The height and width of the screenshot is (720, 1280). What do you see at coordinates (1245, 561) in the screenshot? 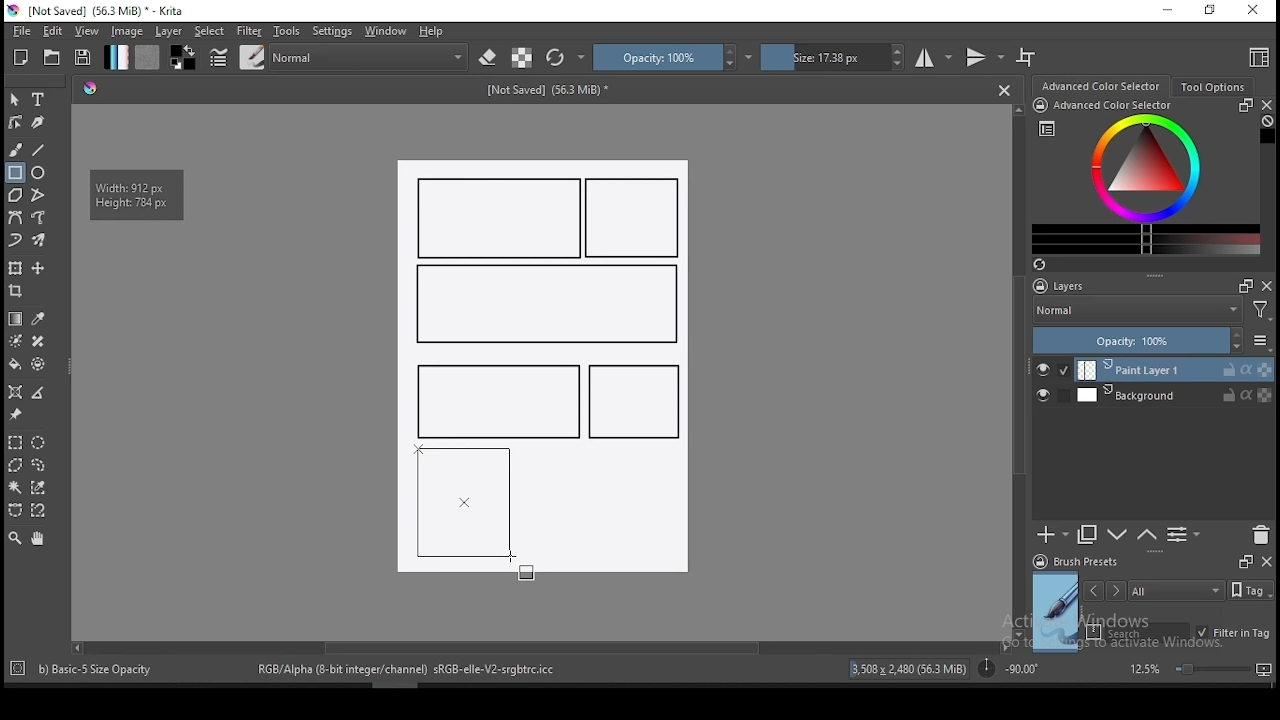
I see `Frames` at bounding box center [1245, 561].